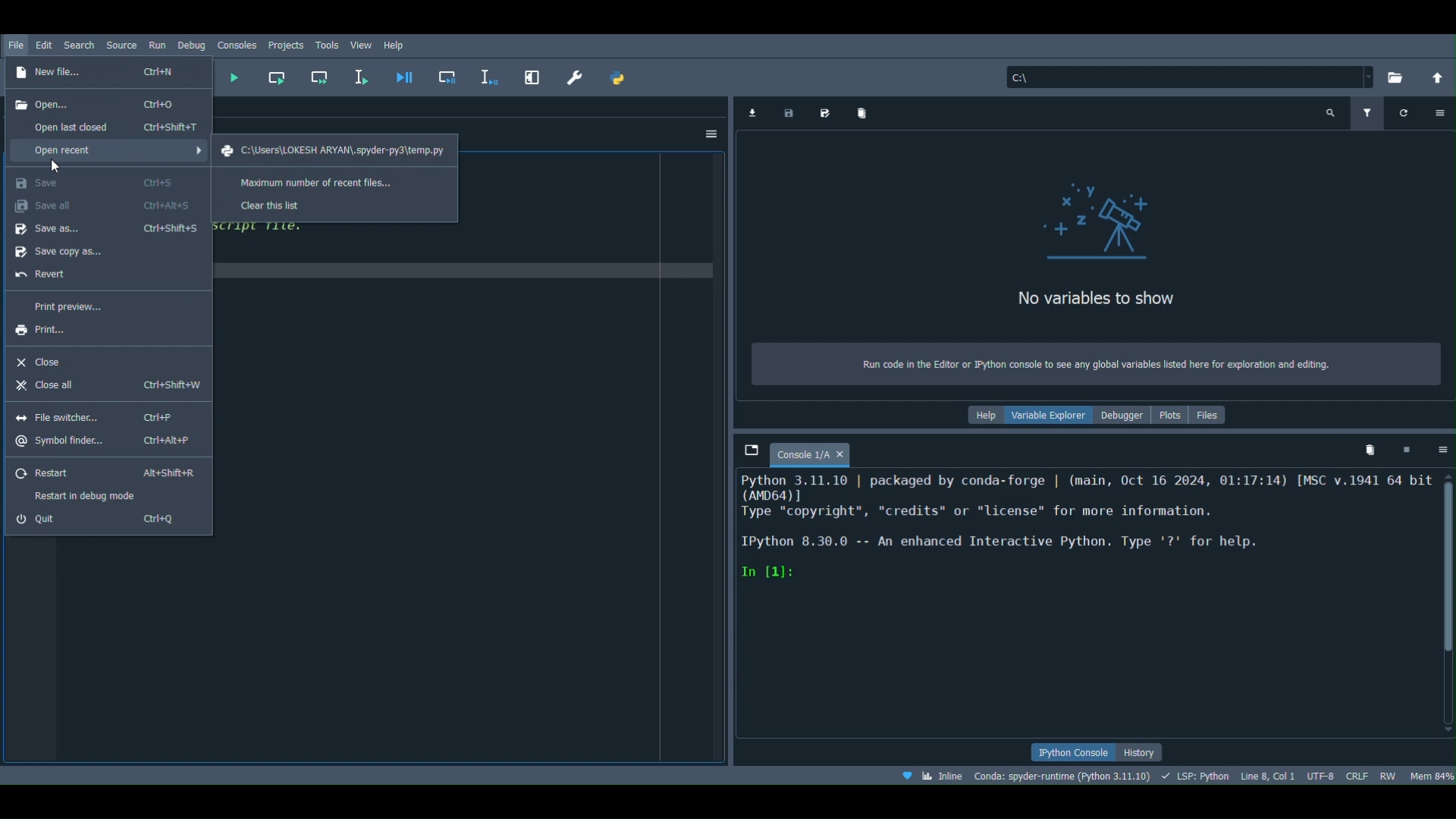 This screenshot has height=819, width=1456. Describe the element at coordinates (446, 77) in the screenshot. I see `Debug cell` at that location.